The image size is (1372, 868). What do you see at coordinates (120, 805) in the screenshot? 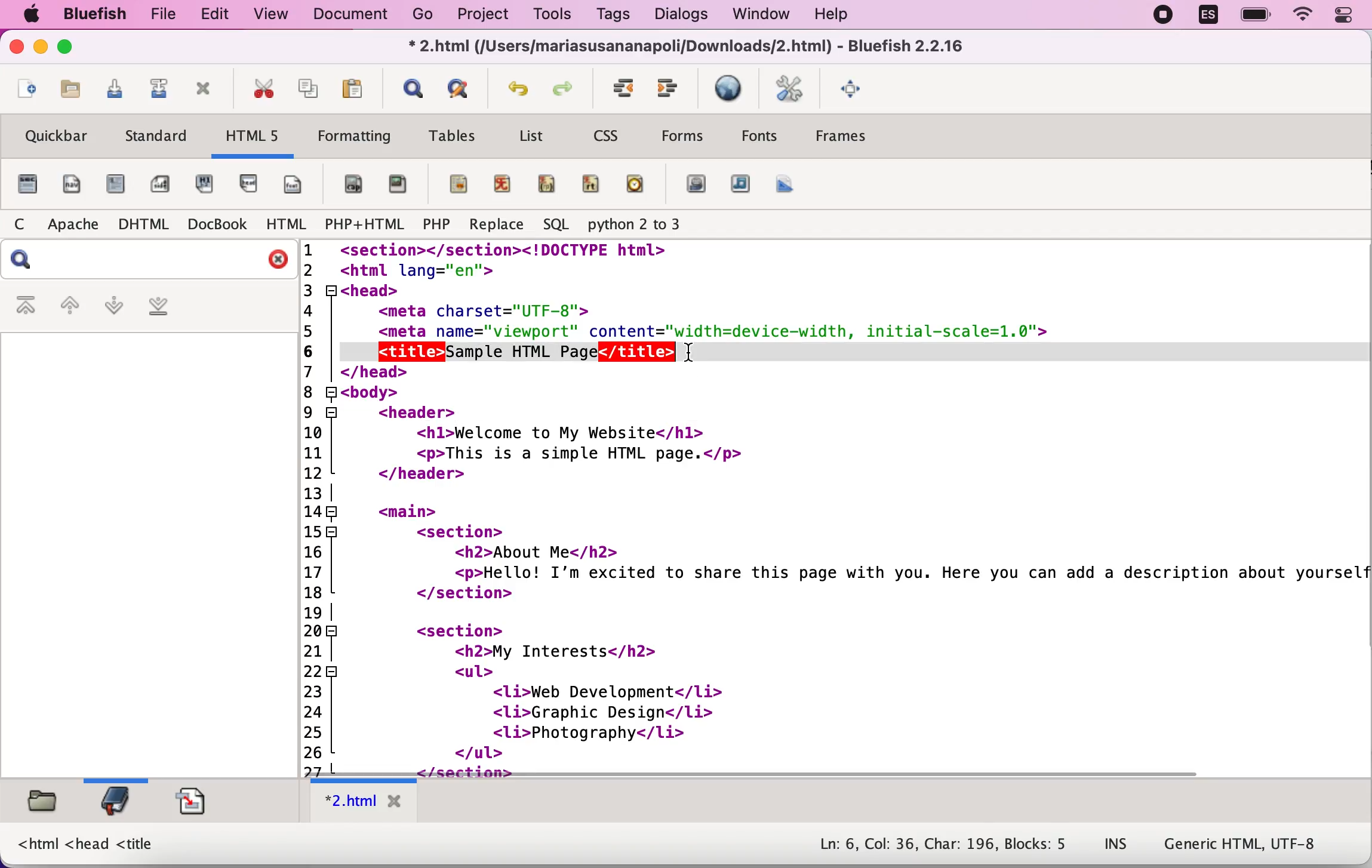
I see `bookmarks` at bounding box center [120, 805].